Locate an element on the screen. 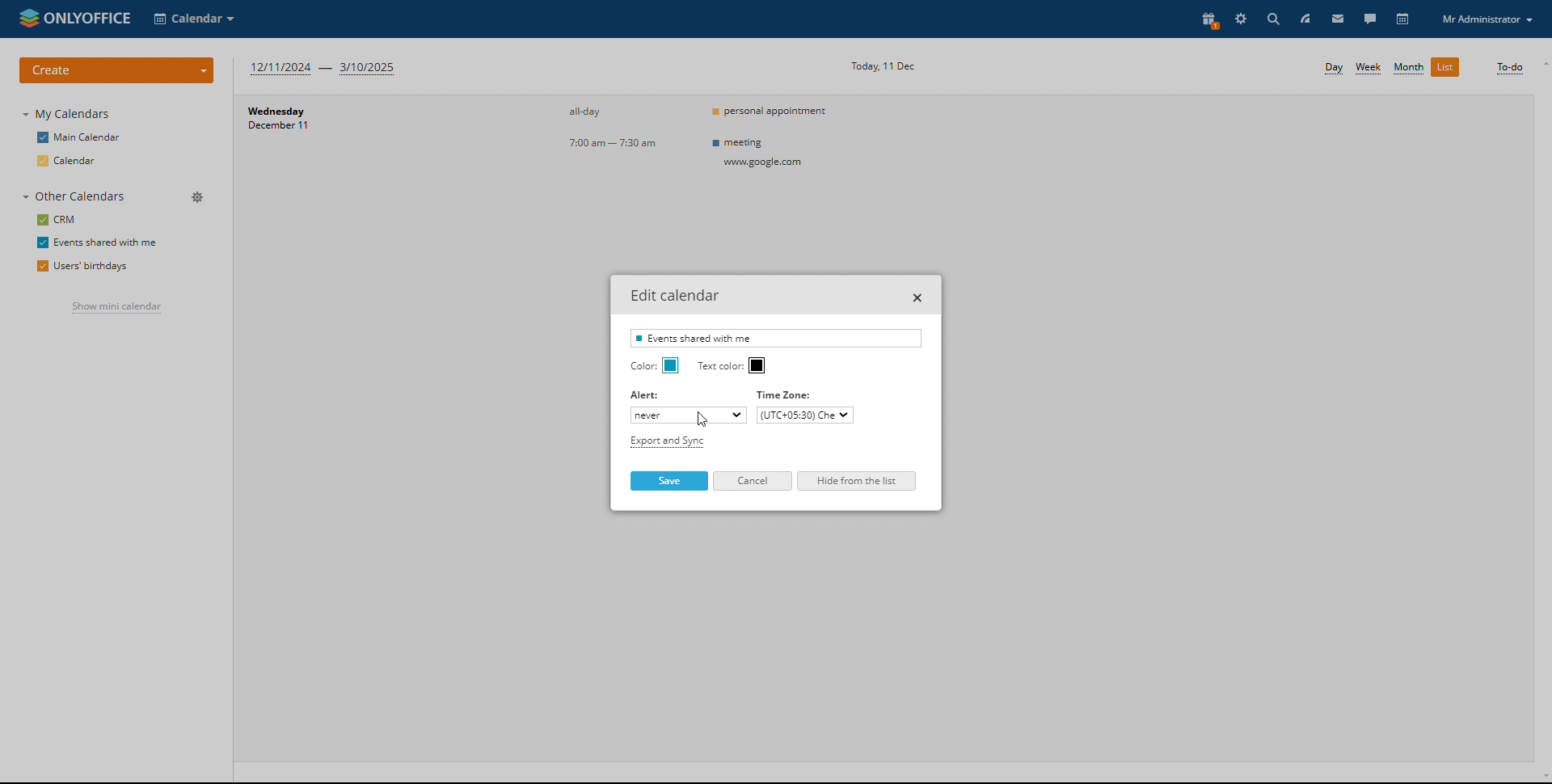 Image resolution: width=1552 pixels, height=784 pixels. week view is located at coordinates (1369, 68).